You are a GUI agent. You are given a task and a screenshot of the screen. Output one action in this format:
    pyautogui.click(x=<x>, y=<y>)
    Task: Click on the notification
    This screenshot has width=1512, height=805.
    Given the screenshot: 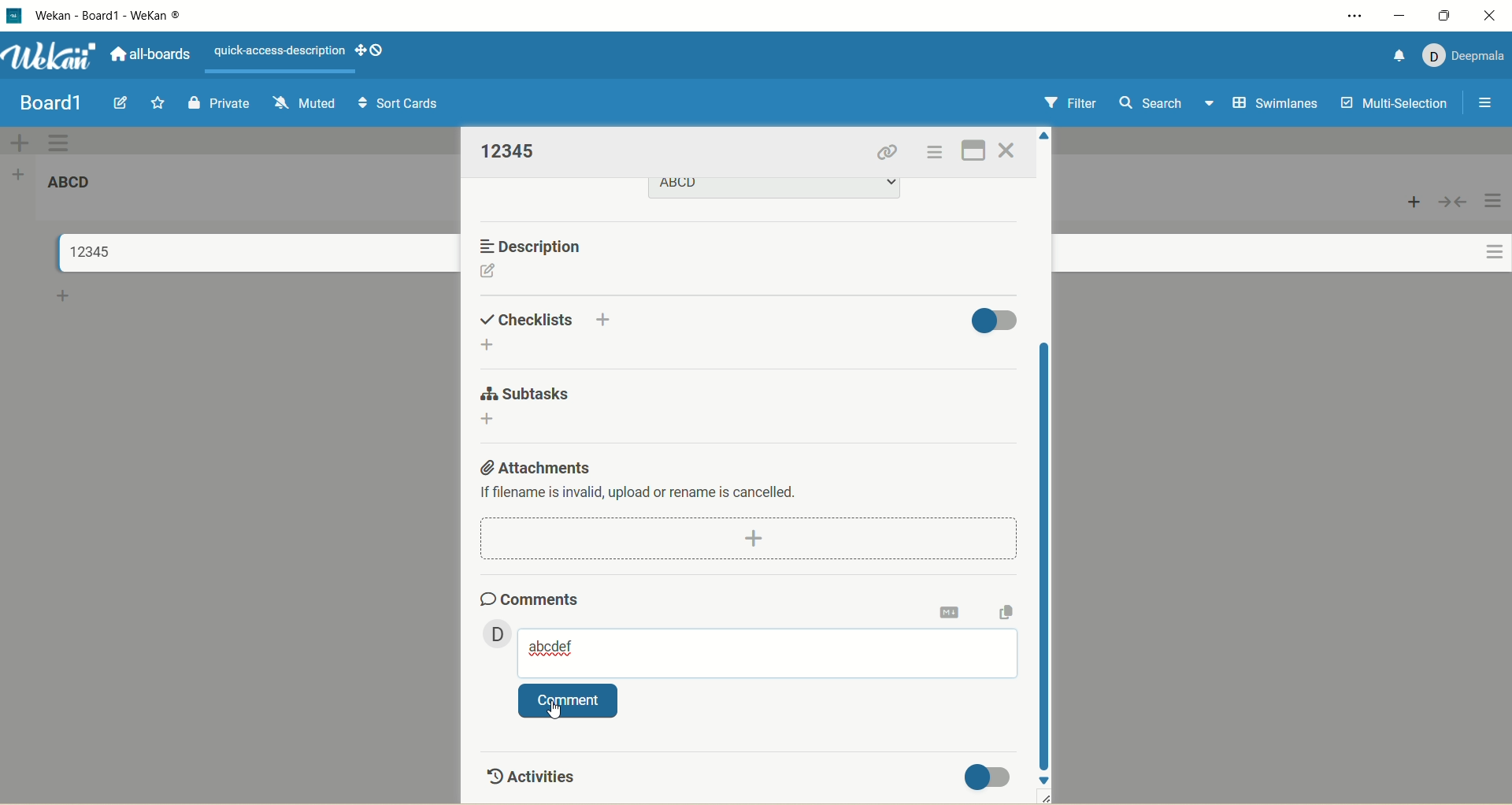 What is the action you would take?
    pyautogui.click(x=1393, y=54)
    